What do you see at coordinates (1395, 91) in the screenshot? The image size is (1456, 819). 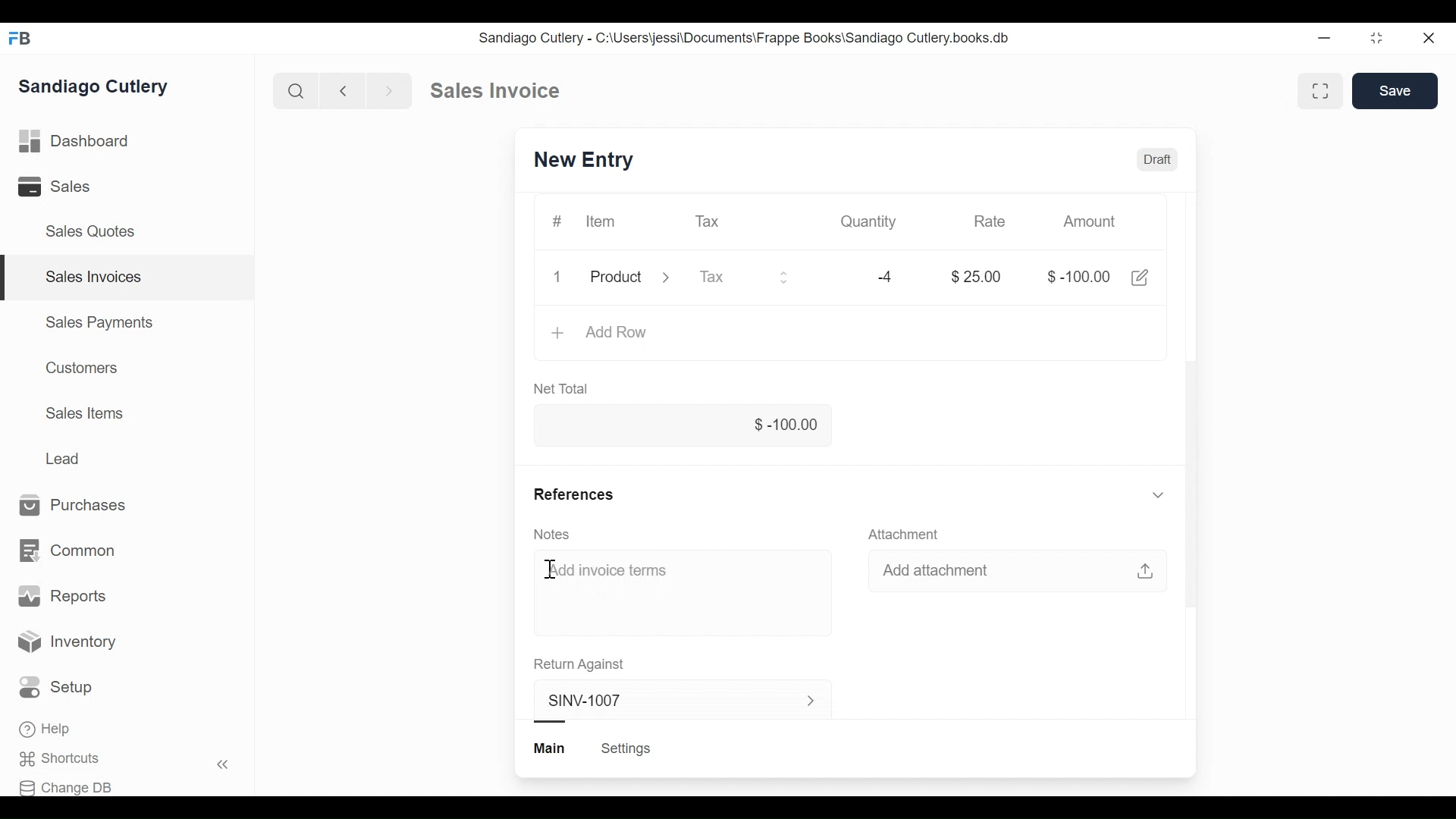 I see `Save` at bounding box center [1395, 91].